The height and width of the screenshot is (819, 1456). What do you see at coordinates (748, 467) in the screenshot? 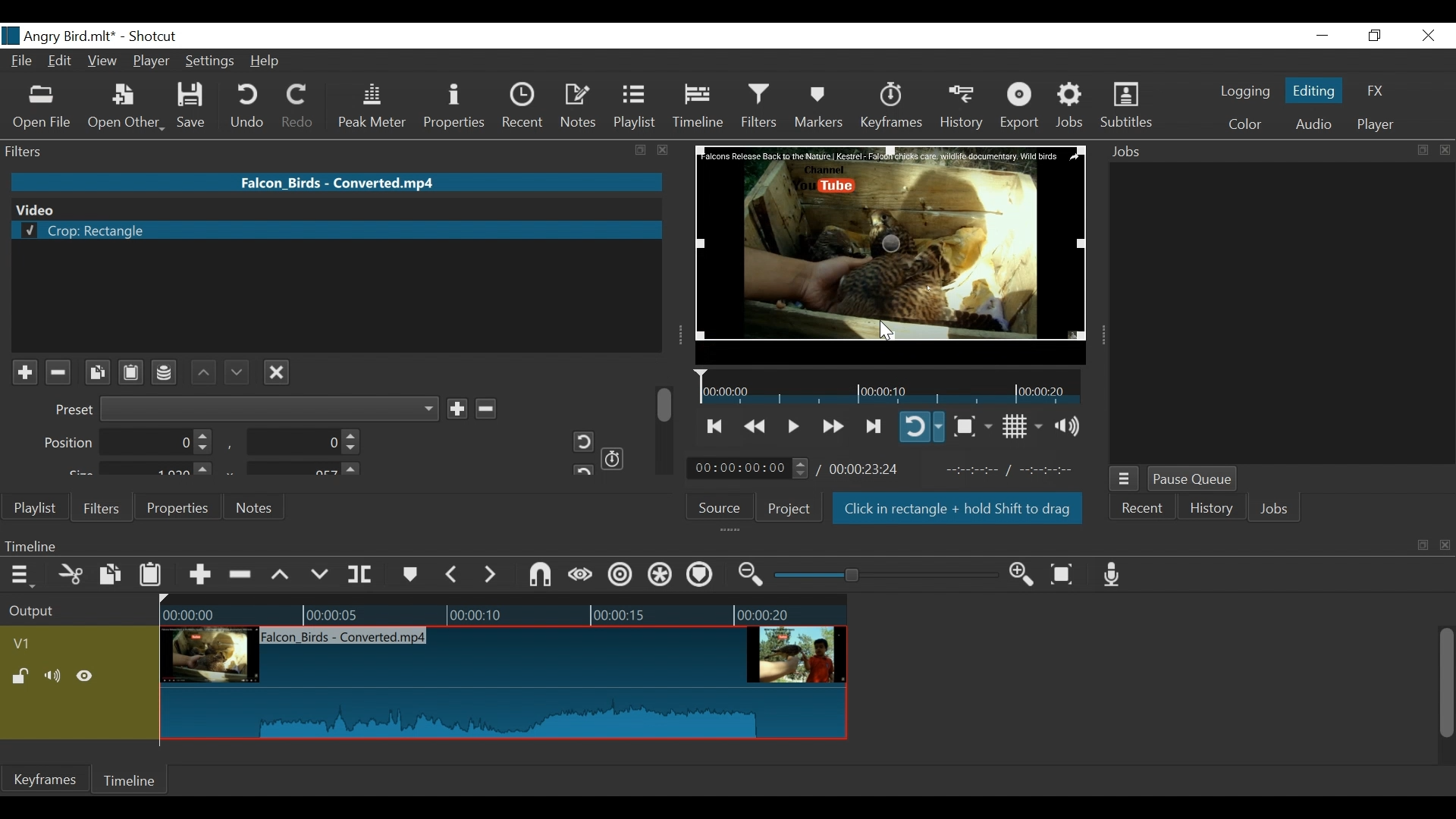
I see `Current Duration` at bounding box center [748, 467].